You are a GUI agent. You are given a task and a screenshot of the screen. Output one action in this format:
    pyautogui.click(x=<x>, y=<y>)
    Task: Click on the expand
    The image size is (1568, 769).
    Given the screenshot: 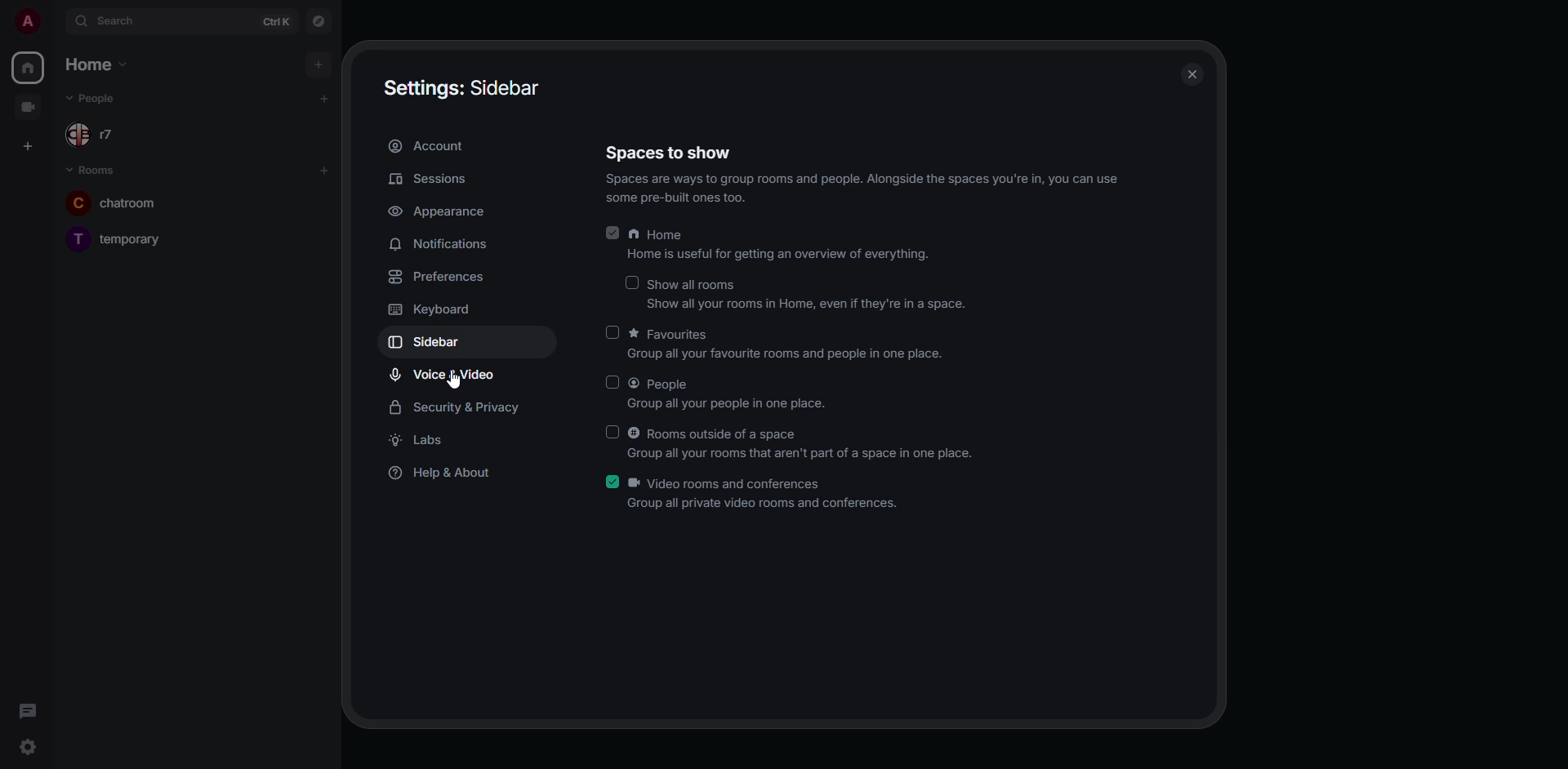 What is the action you would take?
    pyautogui.click(x=59, y=24)
    